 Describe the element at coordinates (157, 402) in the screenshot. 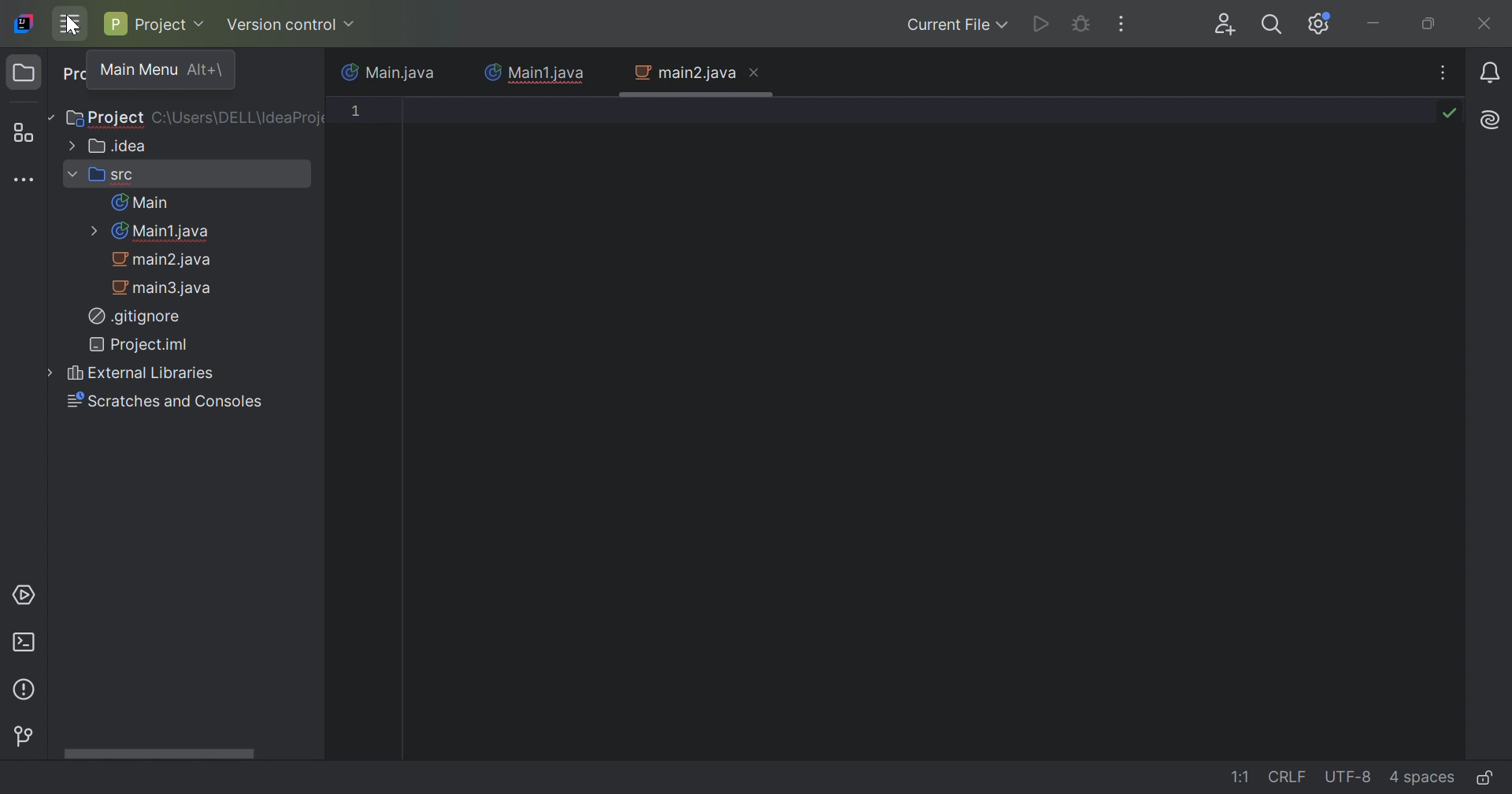

I see `Scratches and Consoles` at that location.